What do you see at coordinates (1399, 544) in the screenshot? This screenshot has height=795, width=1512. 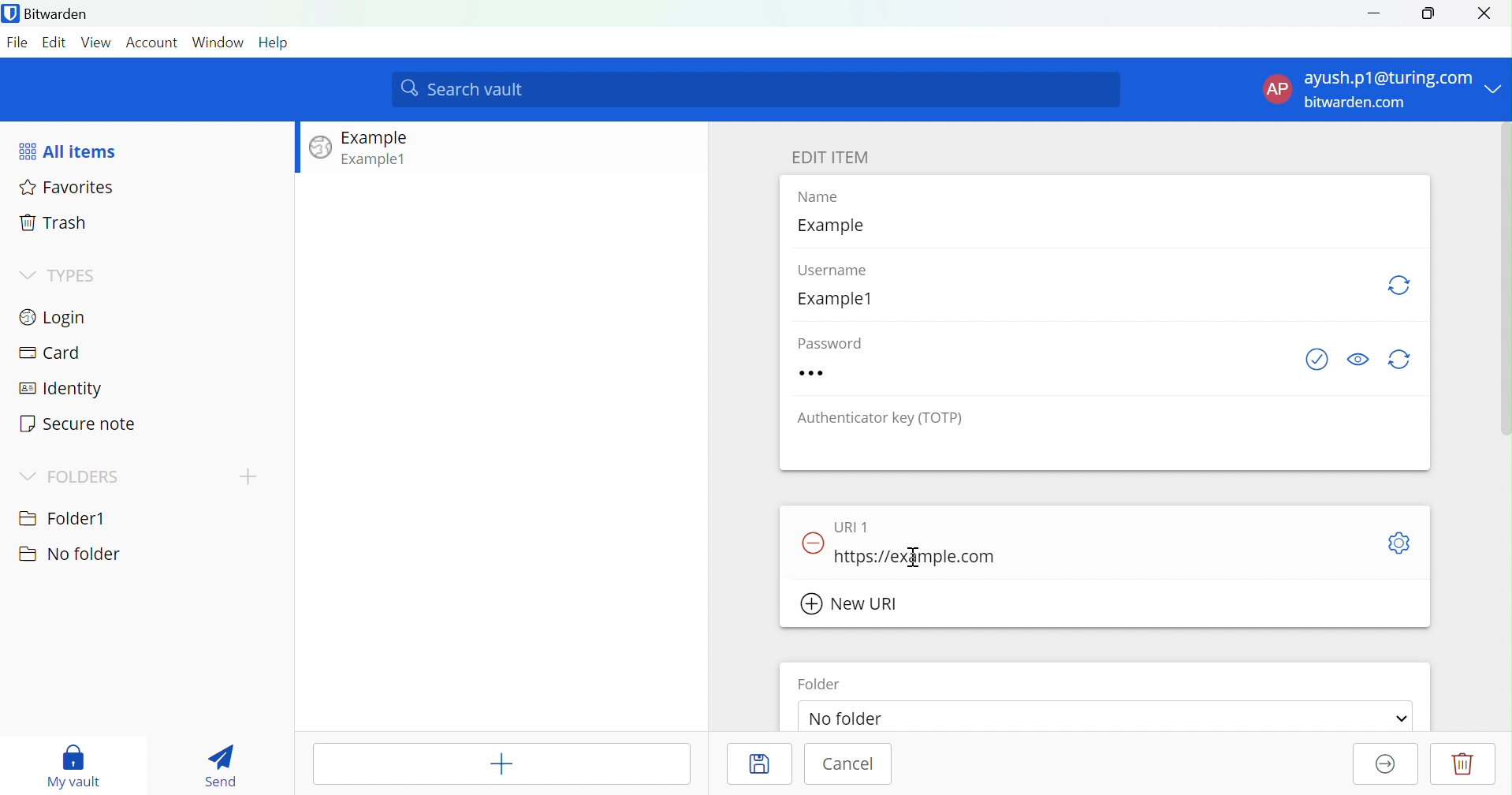 I see `Toggle Options` at bounding box center [1399, 544].